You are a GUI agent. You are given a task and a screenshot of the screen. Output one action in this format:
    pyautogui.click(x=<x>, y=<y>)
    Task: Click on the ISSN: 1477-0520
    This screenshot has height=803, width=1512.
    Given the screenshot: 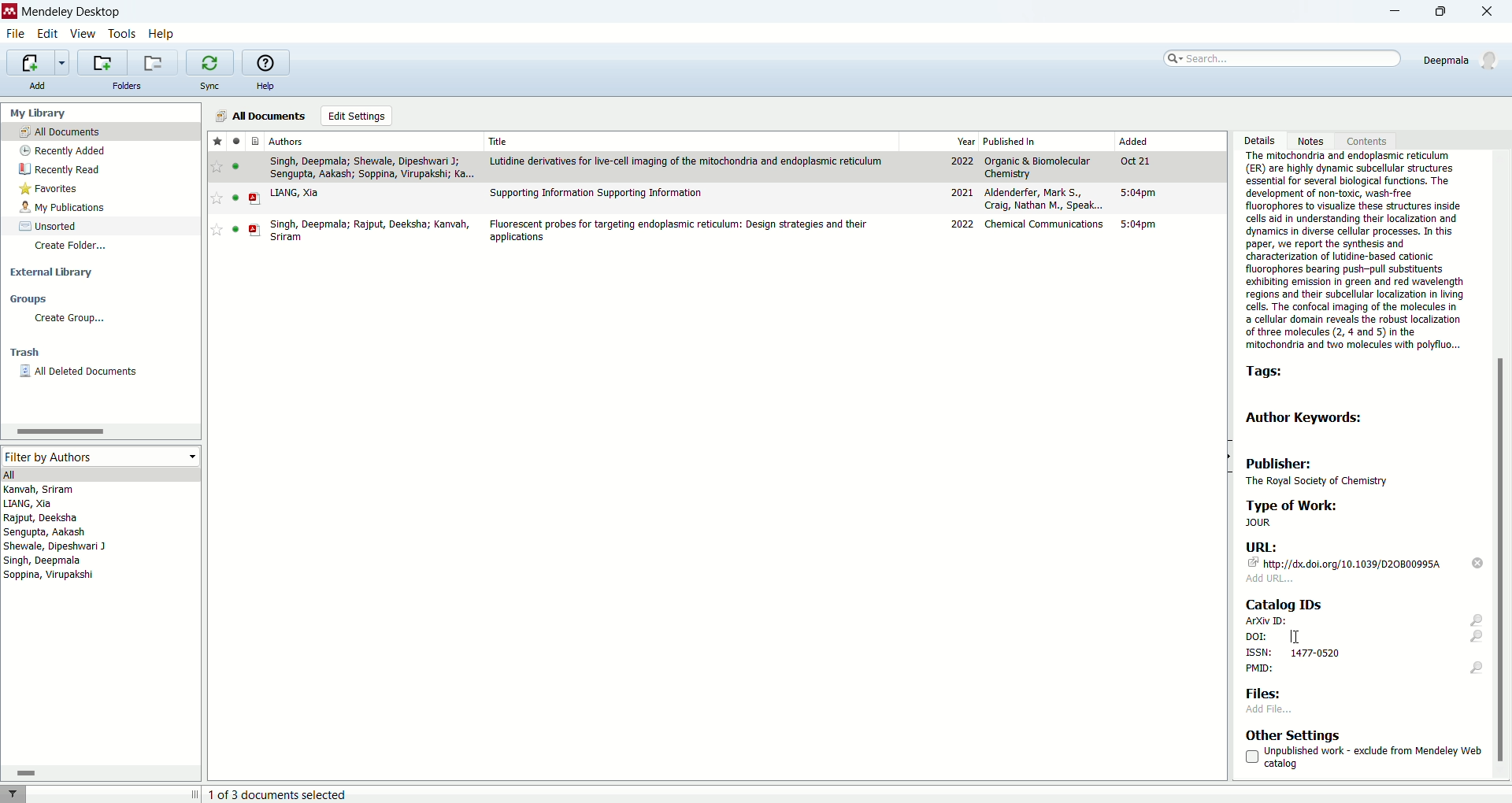 What is the action you would take?
    pyautogui.click(x=1295, y=653)
    